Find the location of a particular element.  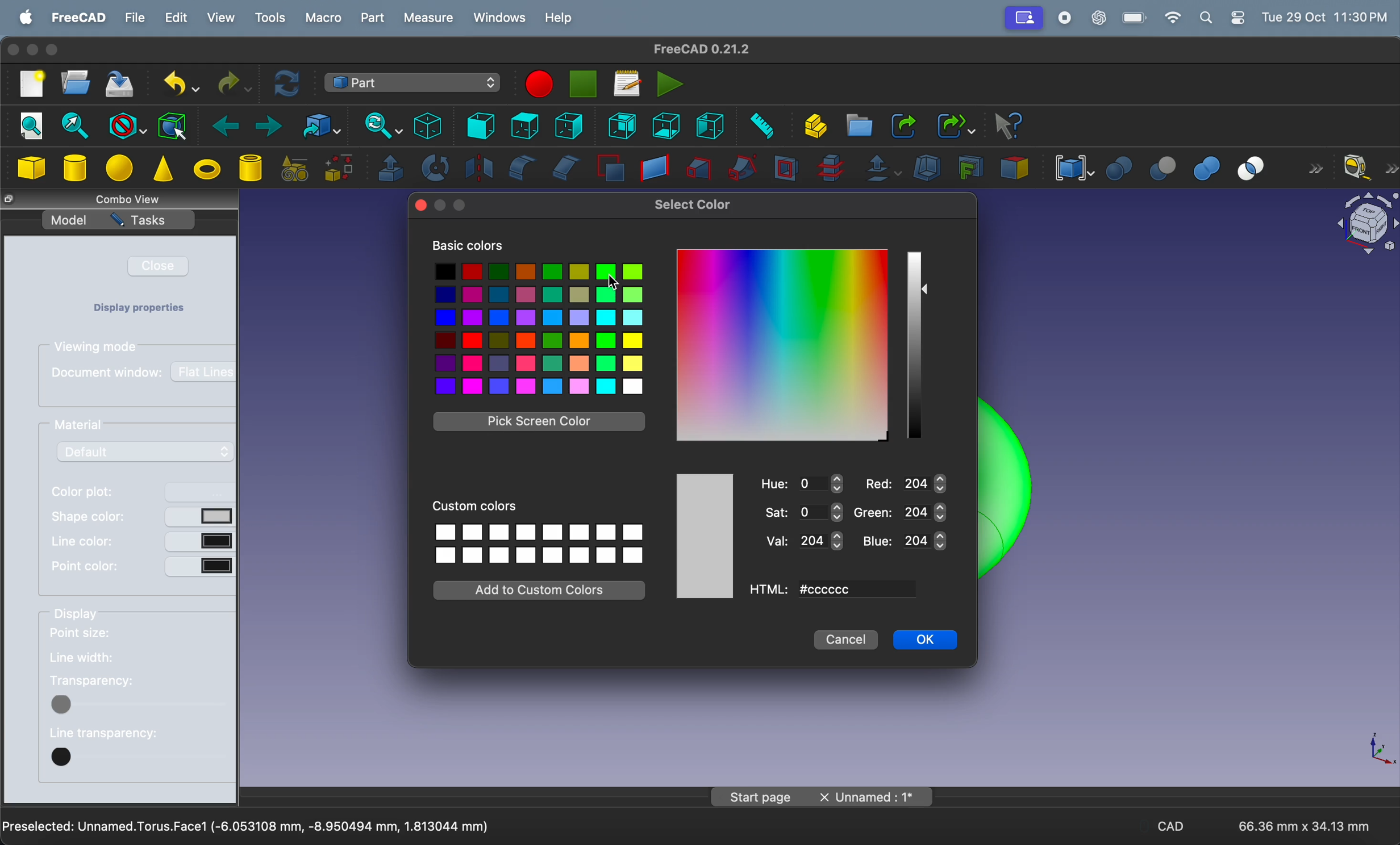

material is located at coordinates (85, 426).